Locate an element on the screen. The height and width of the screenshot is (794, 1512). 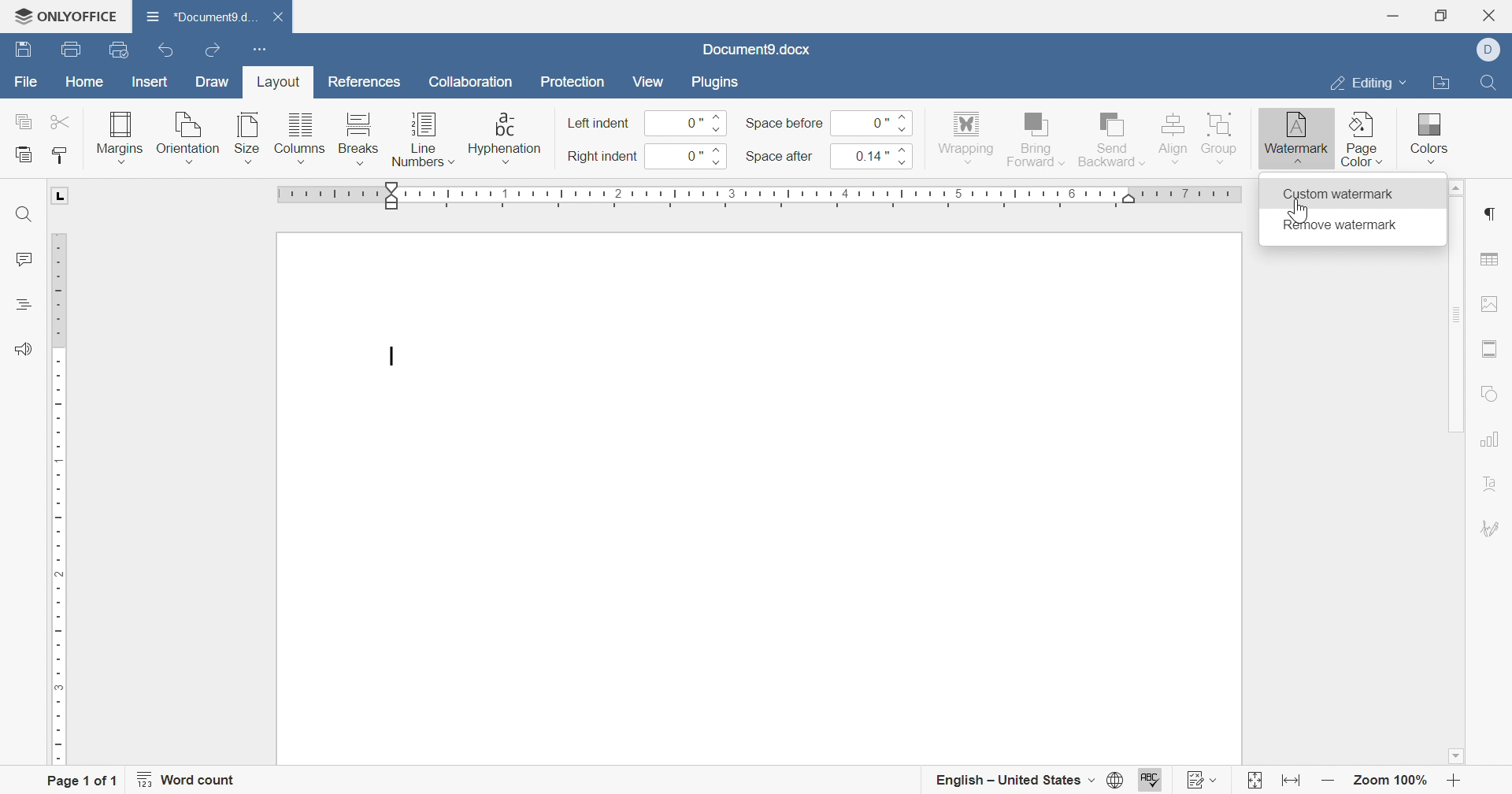
close is located at coordinates (286, 18).